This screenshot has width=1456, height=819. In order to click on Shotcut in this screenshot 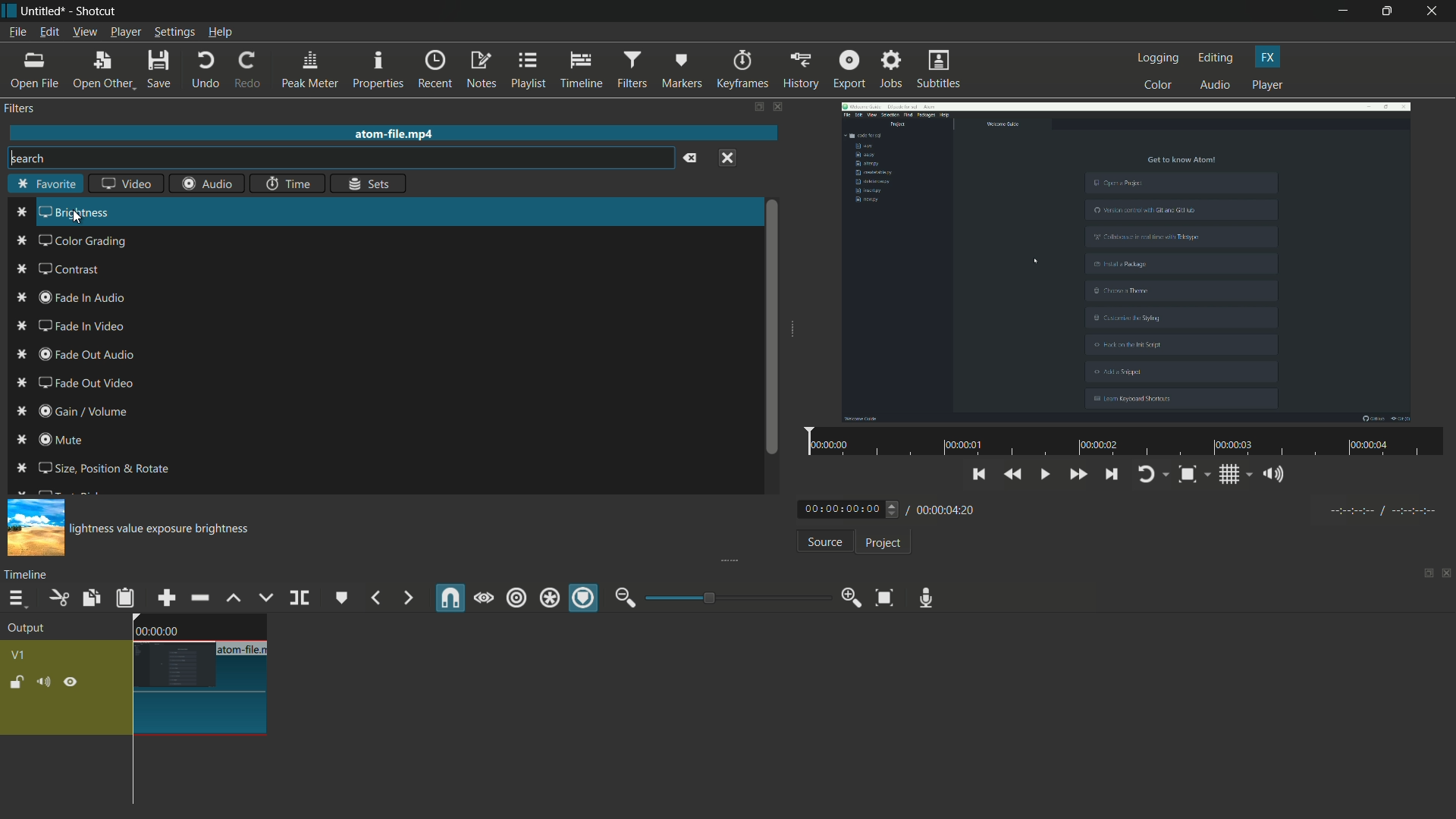, I will do `click(97, 12)`.